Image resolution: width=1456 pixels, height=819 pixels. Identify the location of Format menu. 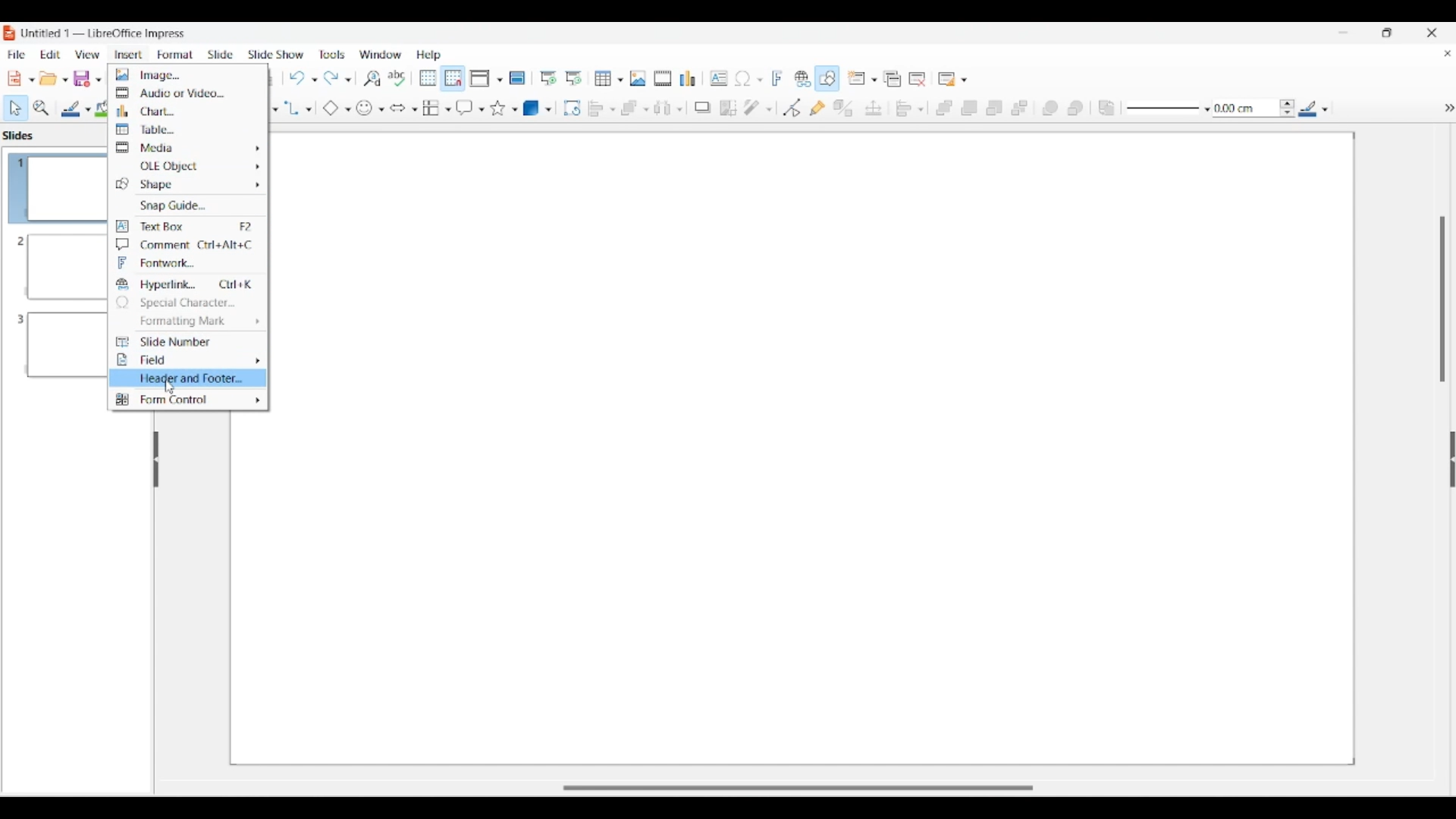
(175, 55).